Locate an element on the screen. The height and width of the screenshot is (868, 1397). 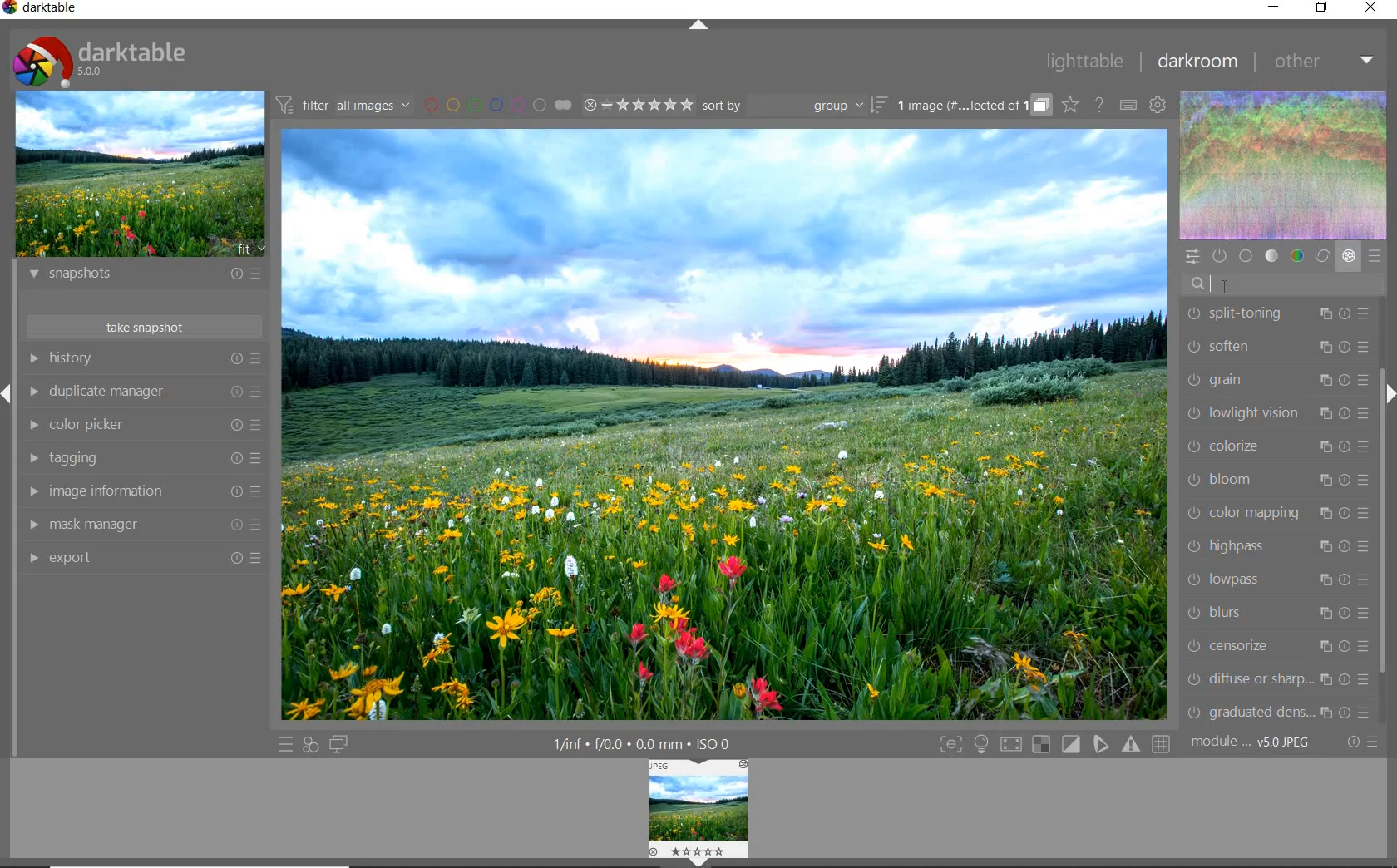
highpass is located at coordinates (1273, 547).